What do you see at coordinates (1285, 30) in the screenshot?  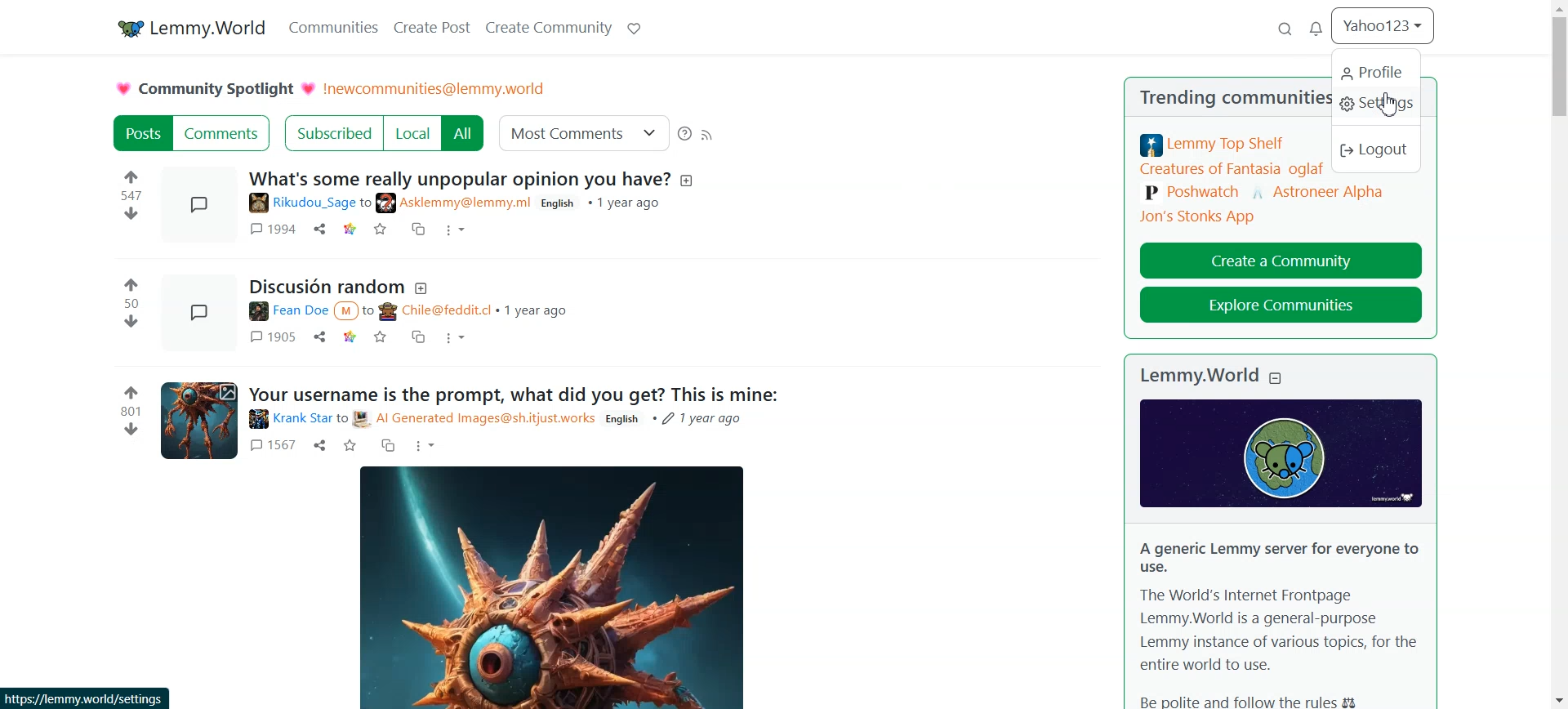 I see `Search` at bounding box center [1285, 30].